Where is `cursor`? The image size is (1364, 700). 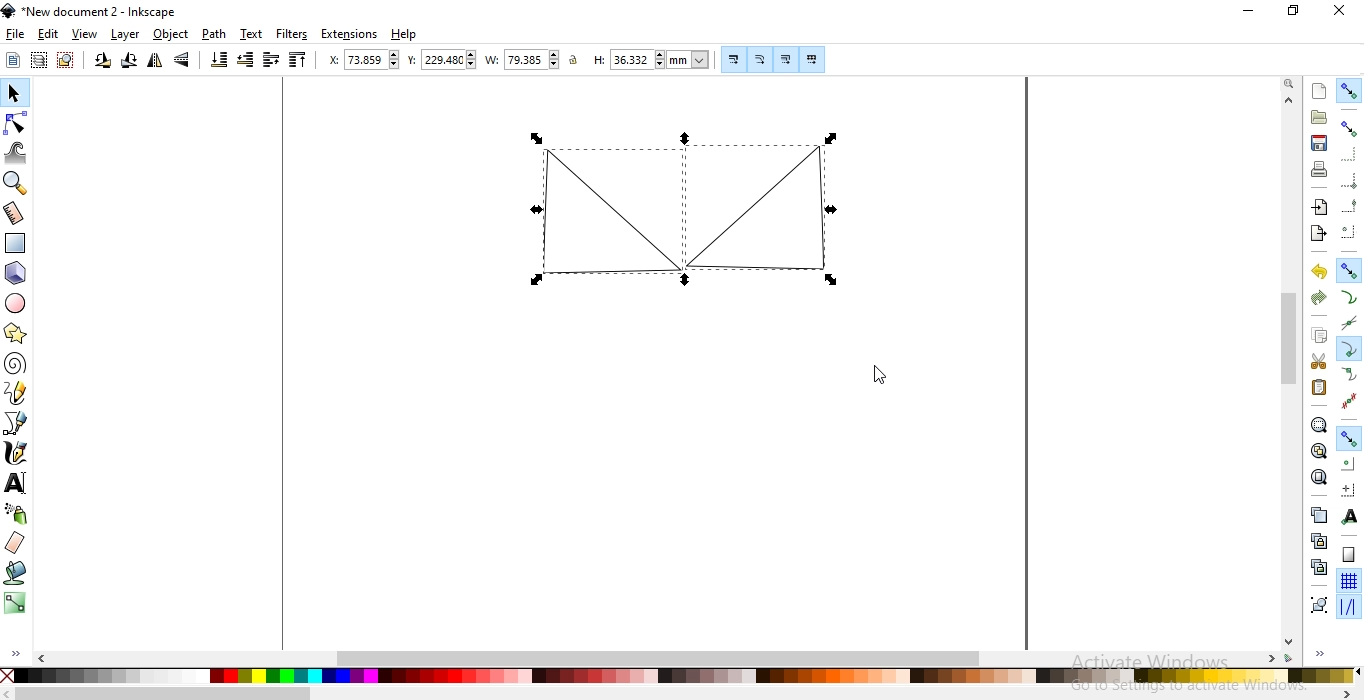 cursor is located at coordinates (876, 370).